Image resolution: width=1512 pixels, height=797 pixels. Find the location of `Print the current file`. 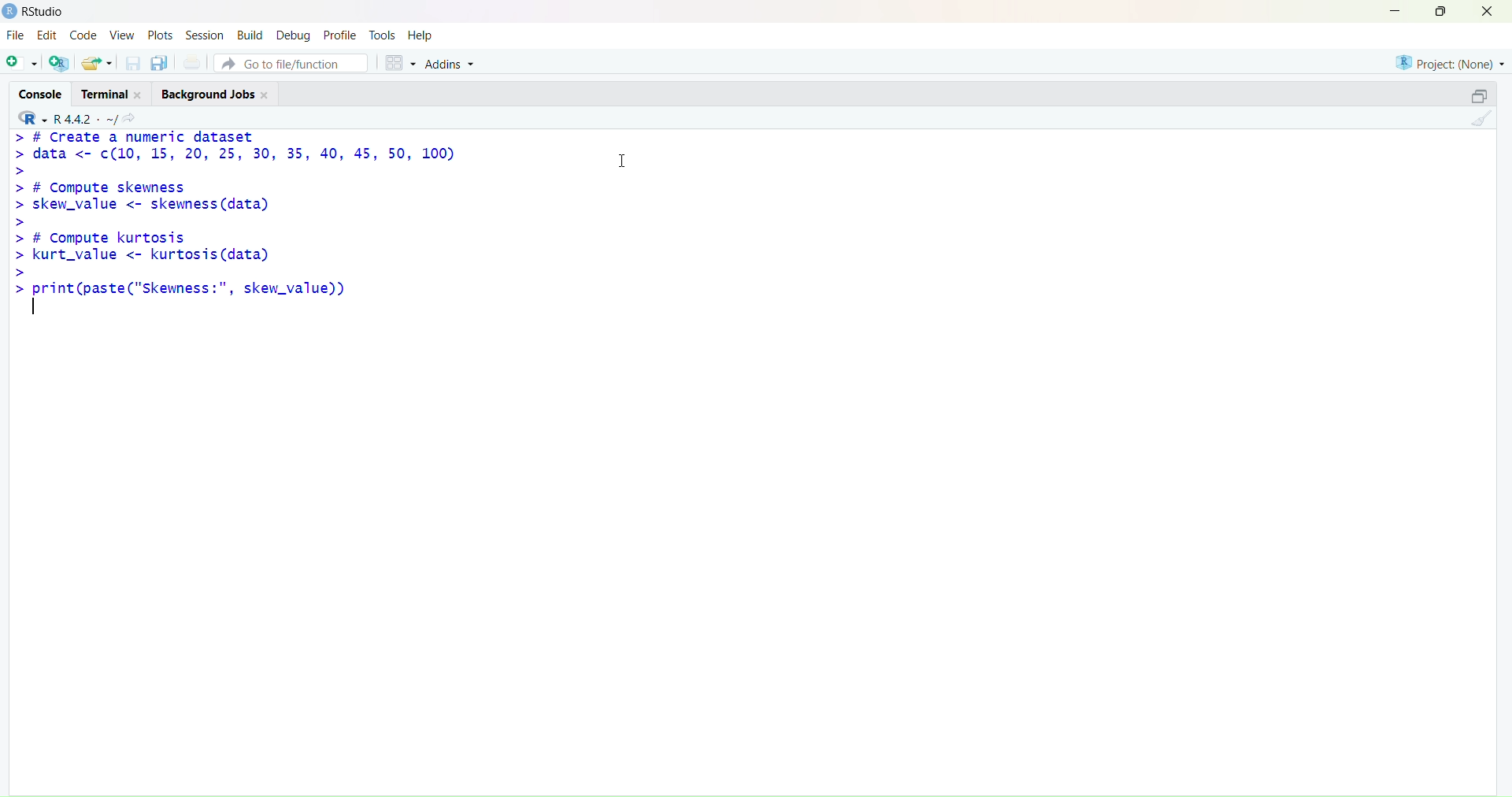

Print the current file is located at coordinates (191, 63).